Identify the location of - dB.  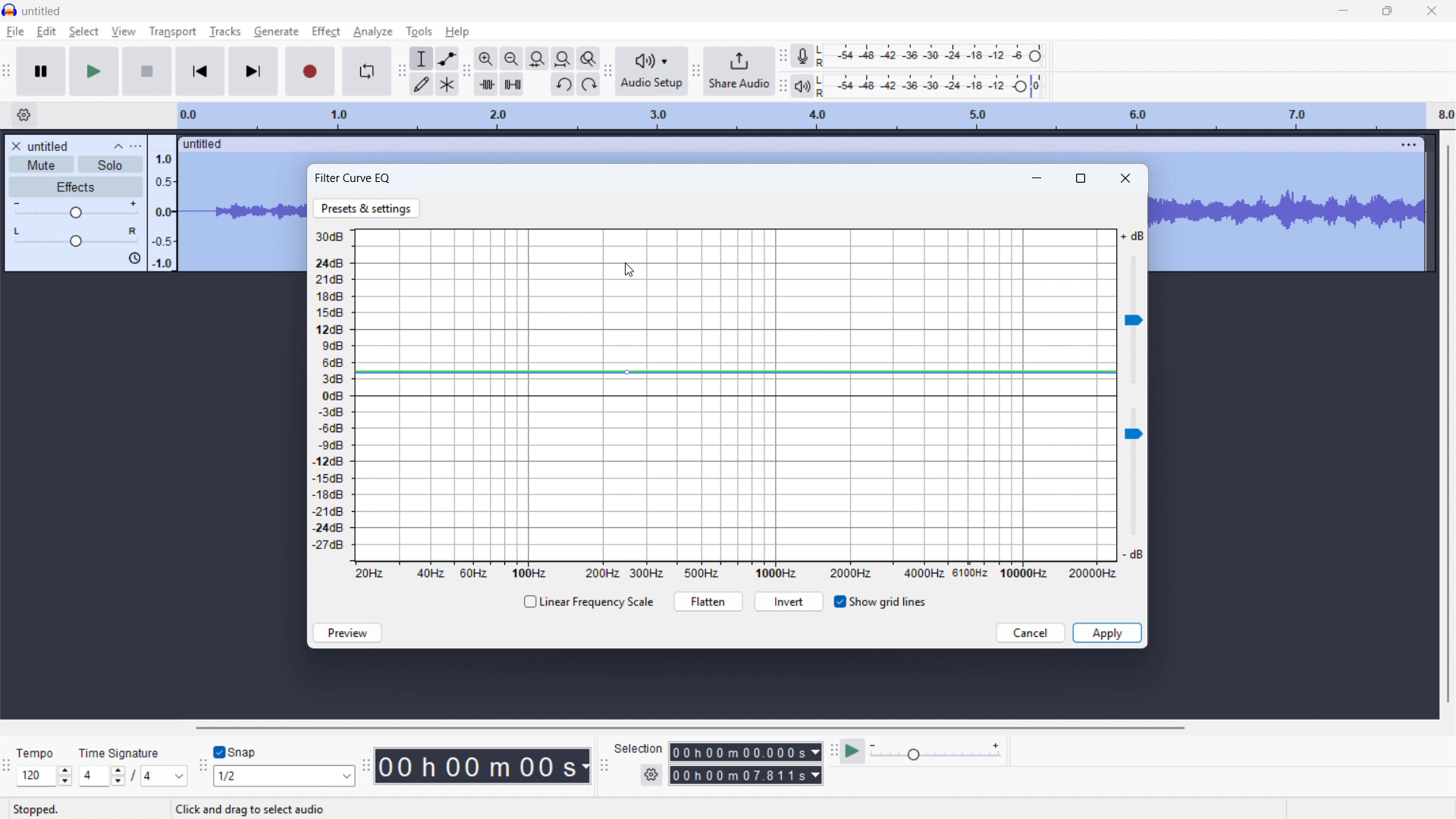
(1133, 554).